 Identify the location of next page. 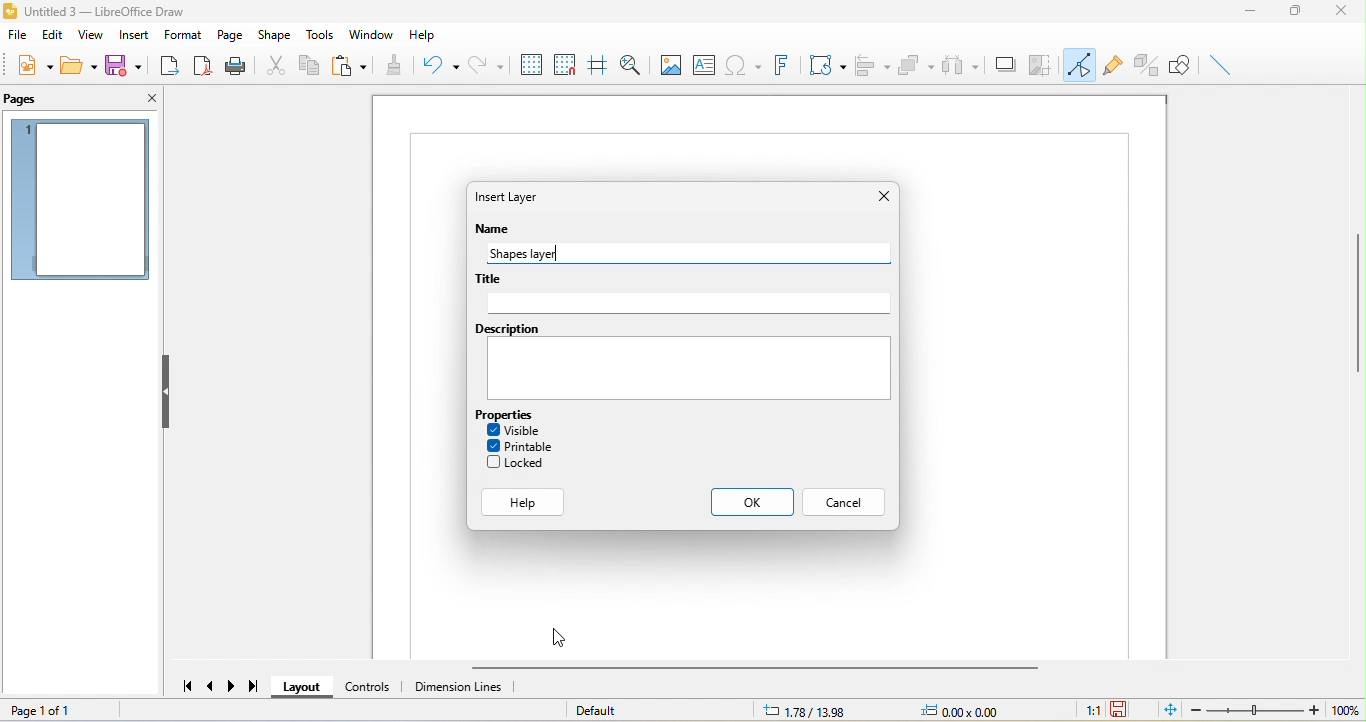
(233, 685).